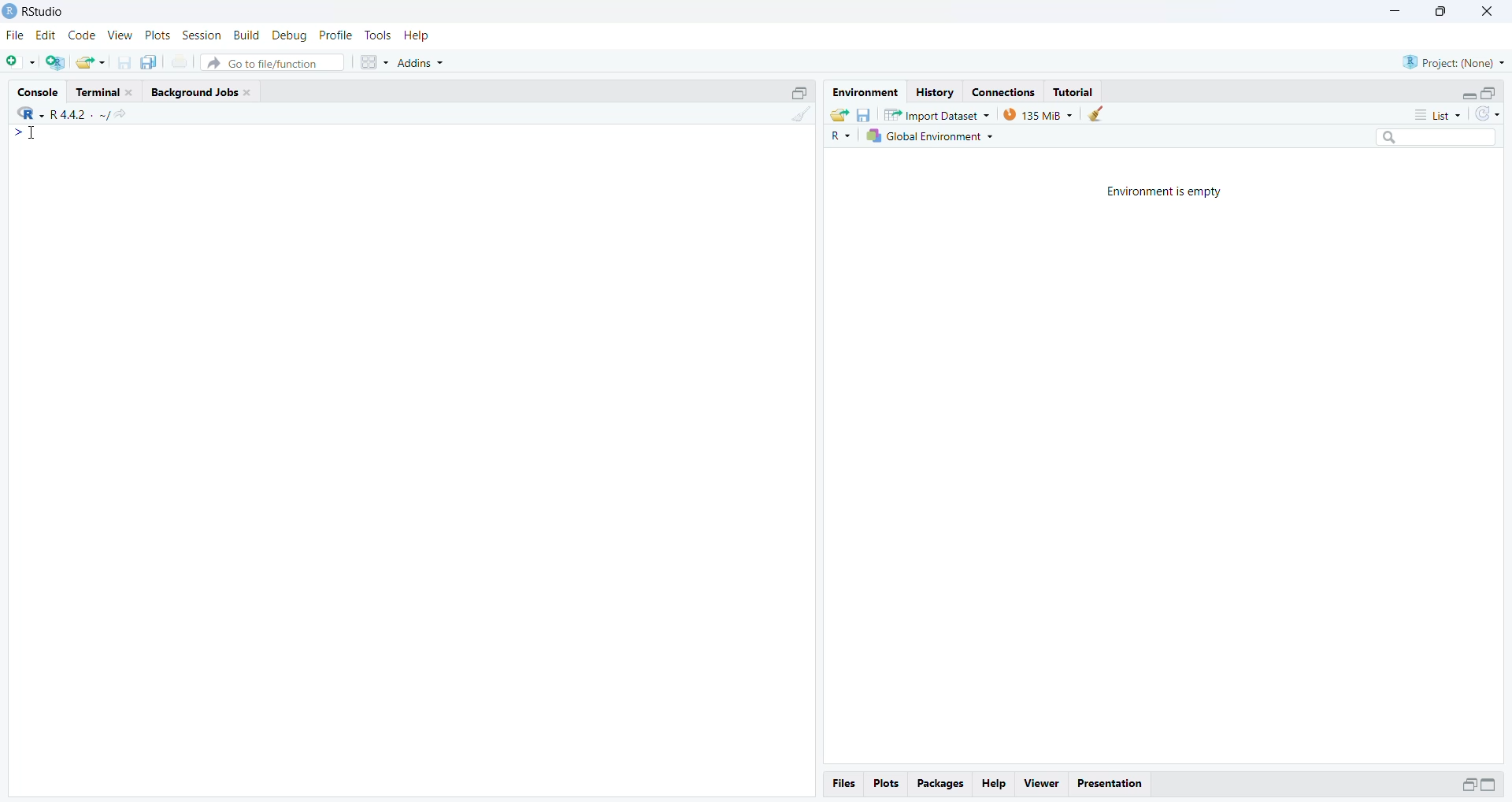 This screenshot has width=1512, height=802. What do you see at coordinates (1395, 12) in the screenshot?
I see `Minimize` at bounding box center [1395, 12].